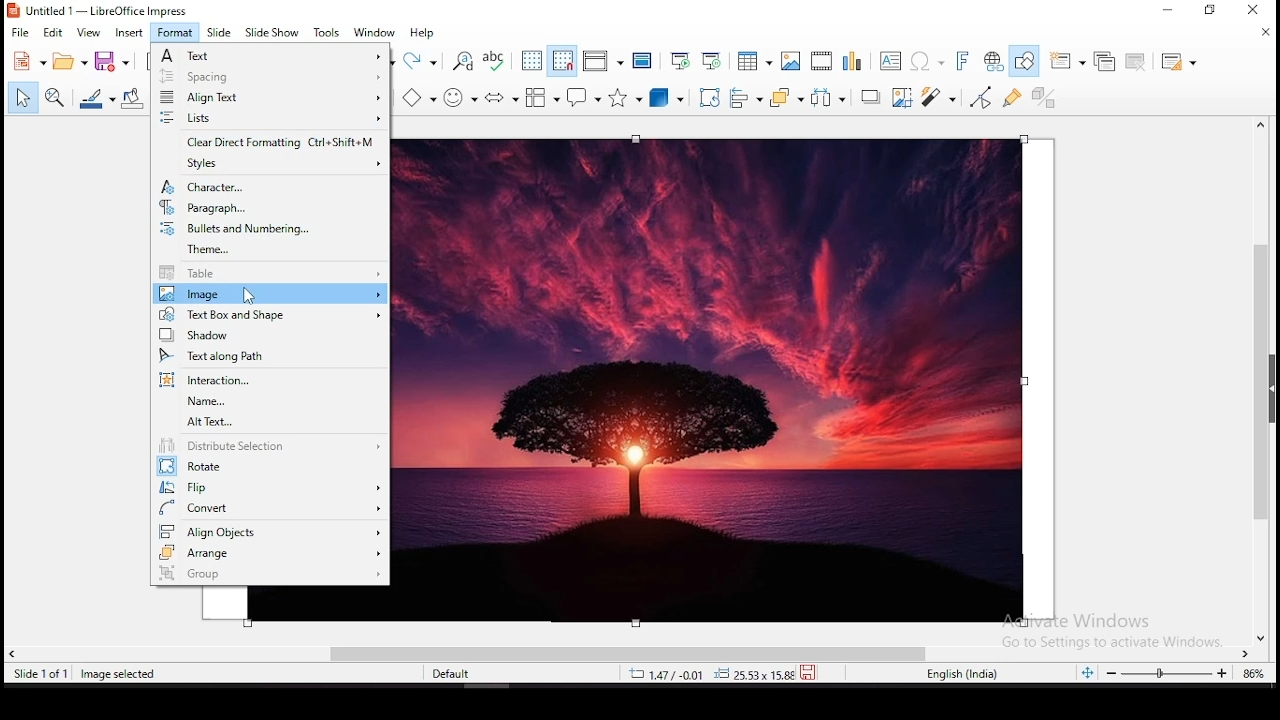 This screenshot has width=1280, height=720. What do you see at coordinates (792, 62) in the screenshot?
I see `insert image` at bounding box center [792, 62].